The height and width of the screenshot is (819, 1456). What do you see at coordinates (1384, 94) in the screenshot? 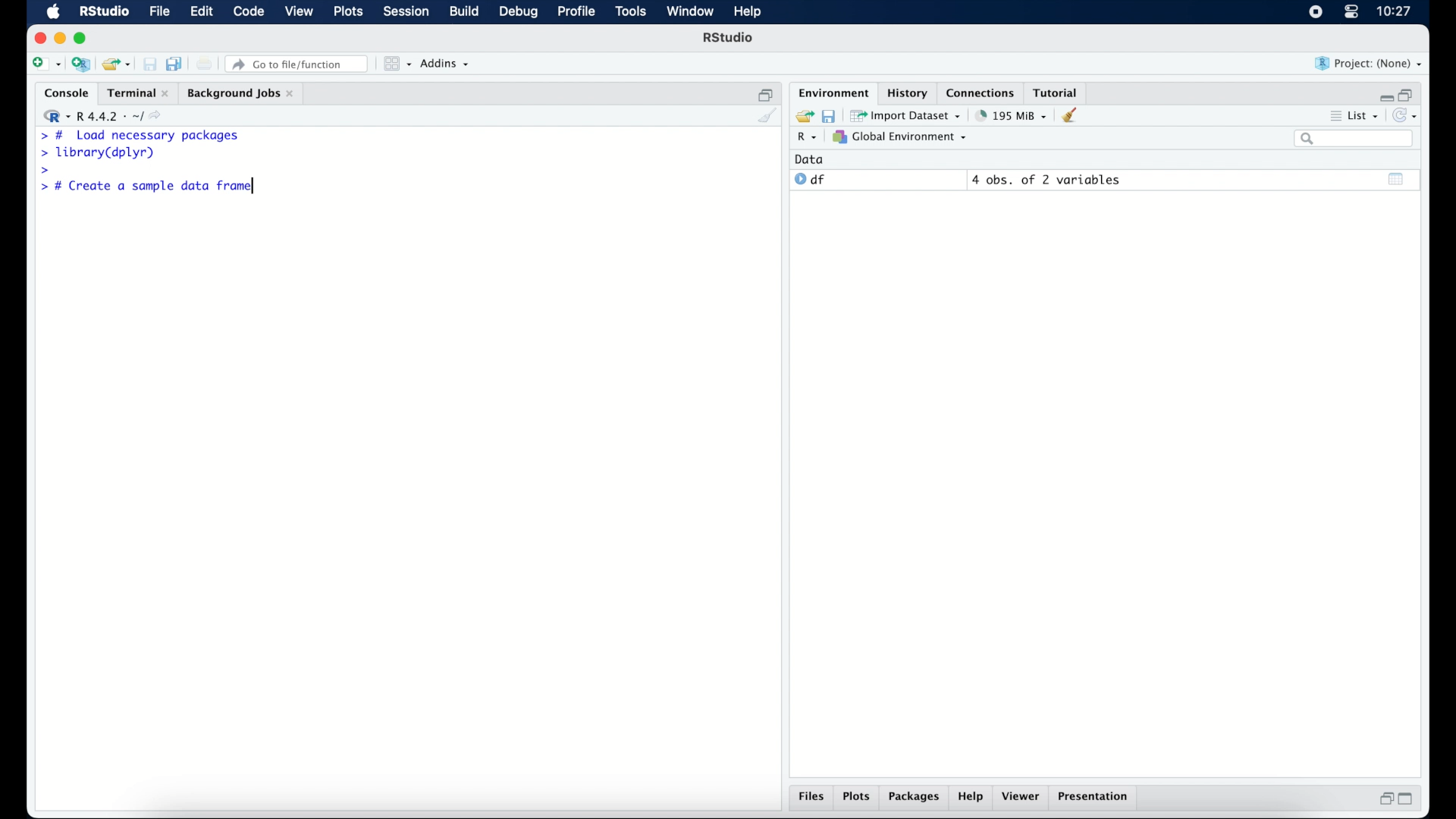
I see `minimize` at bounding box center [1384, 94].